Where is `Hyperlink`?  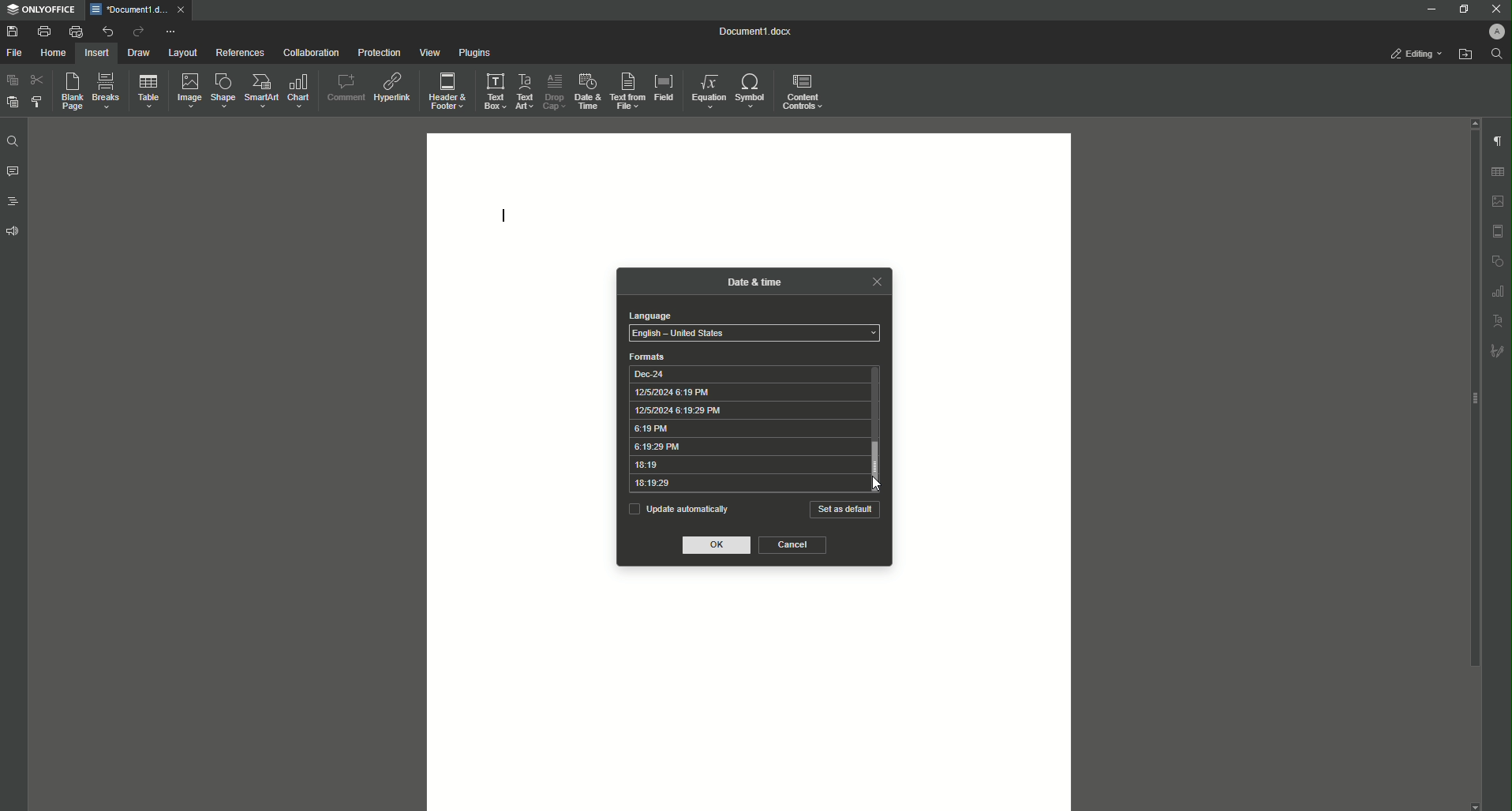 Hyperlink is located at coordinates (391, 84).